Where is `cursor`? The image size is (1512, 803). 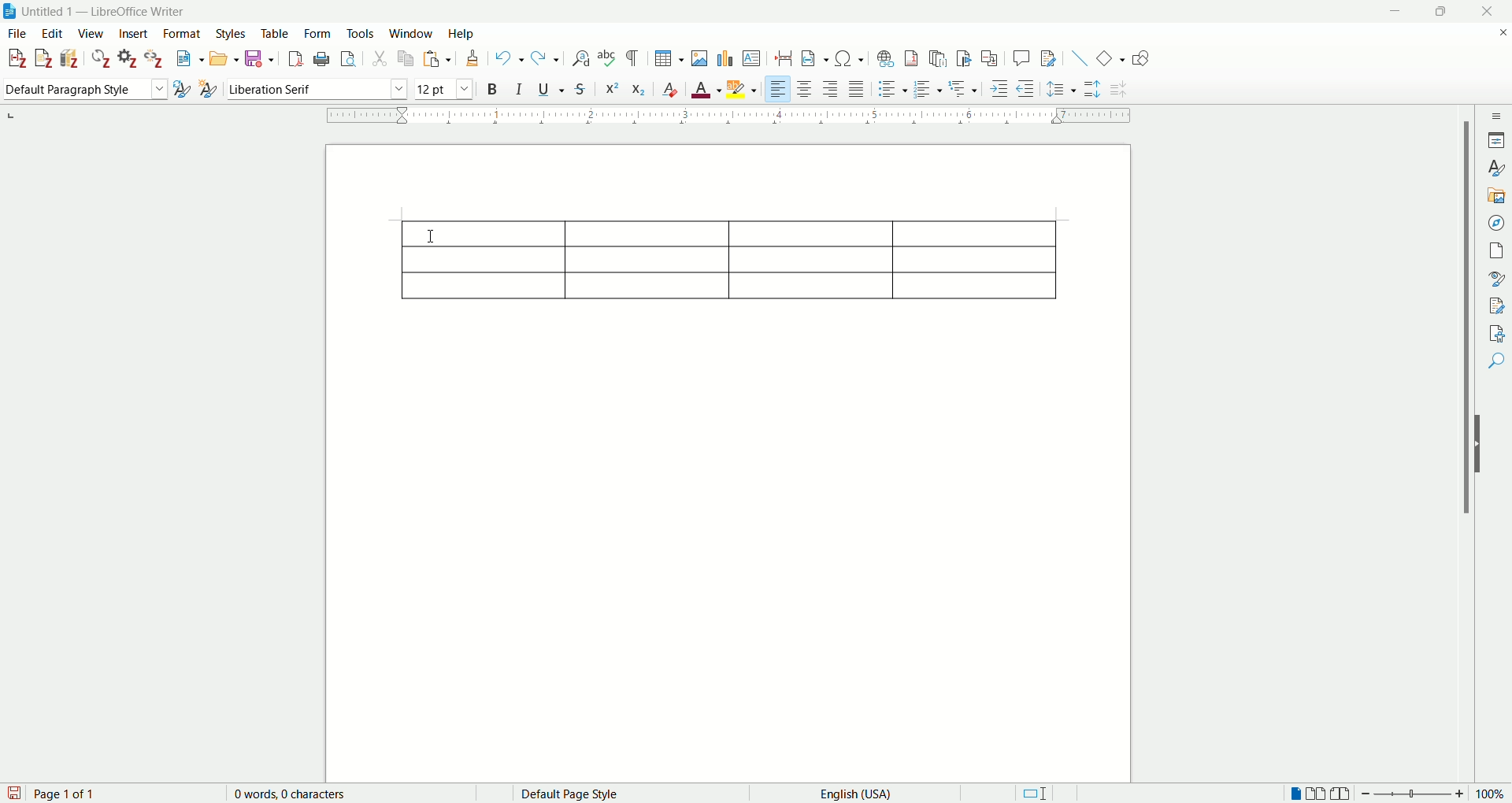
cursor is located at coordinates (429, 238).